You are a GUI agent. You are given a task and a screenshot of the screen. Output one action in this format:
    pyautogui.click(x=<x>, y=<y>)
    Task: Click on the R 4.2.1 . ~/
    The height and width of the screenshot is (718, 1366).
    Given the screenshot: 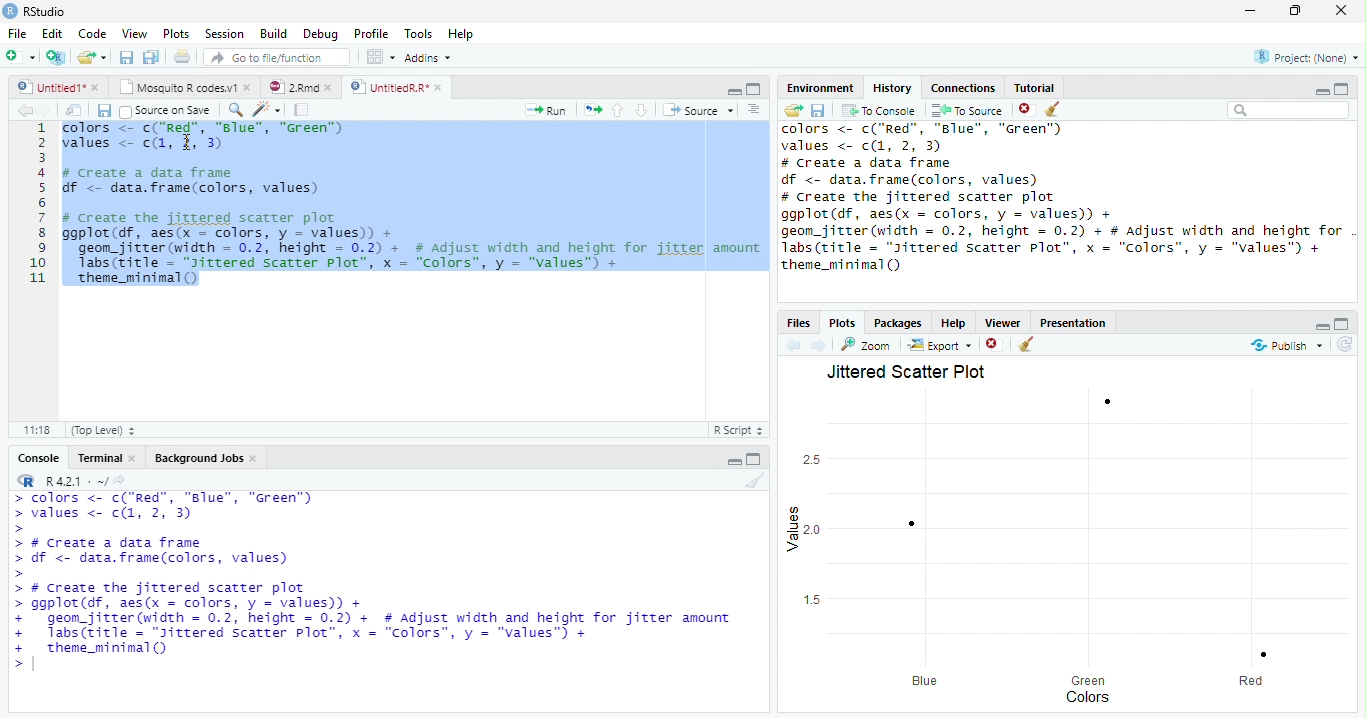 What is the action you would take?
    pyautogui.click(x=76, y=481)
    